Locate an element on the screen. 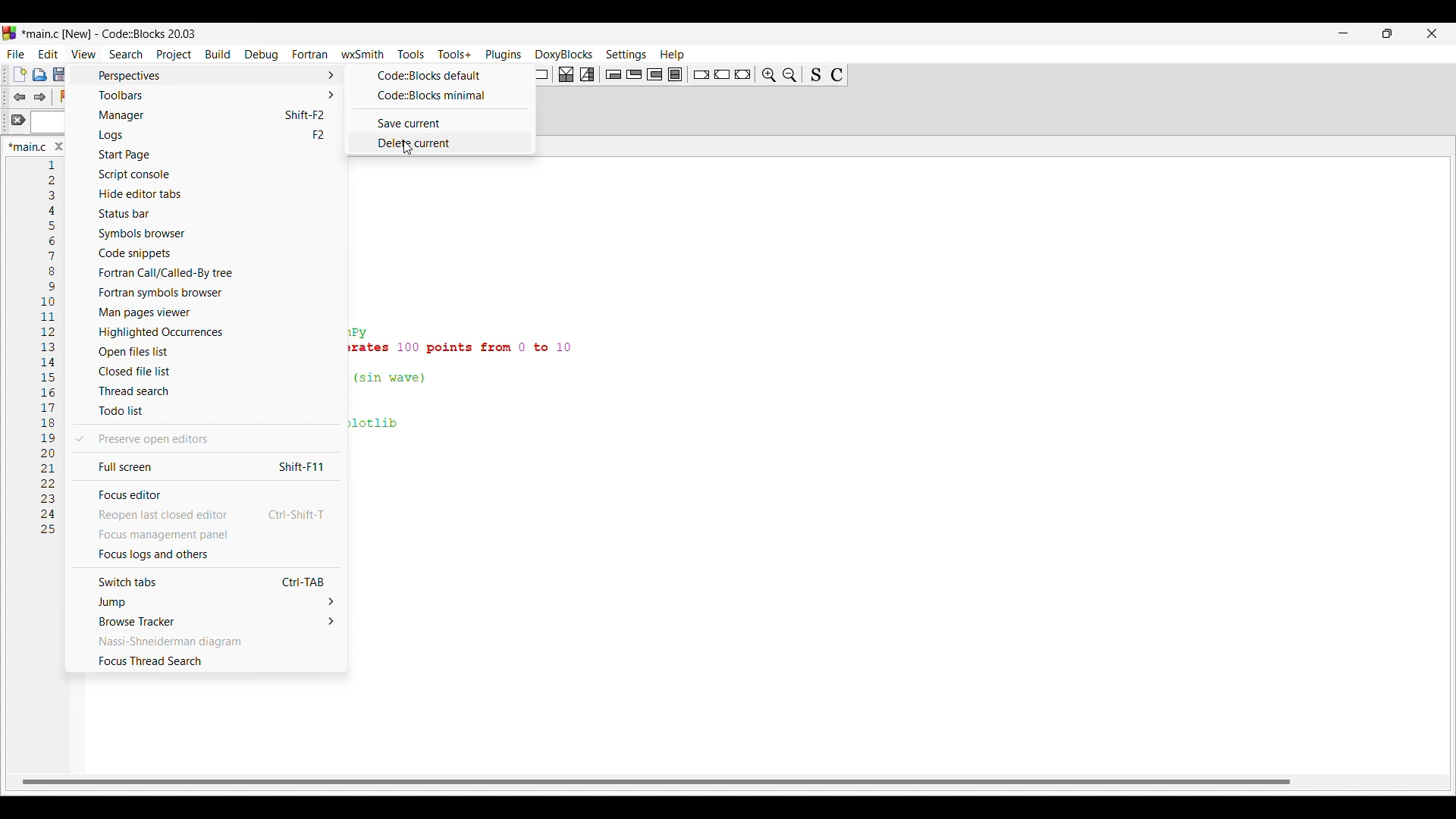  Selection is located at coordinates (587, 74).